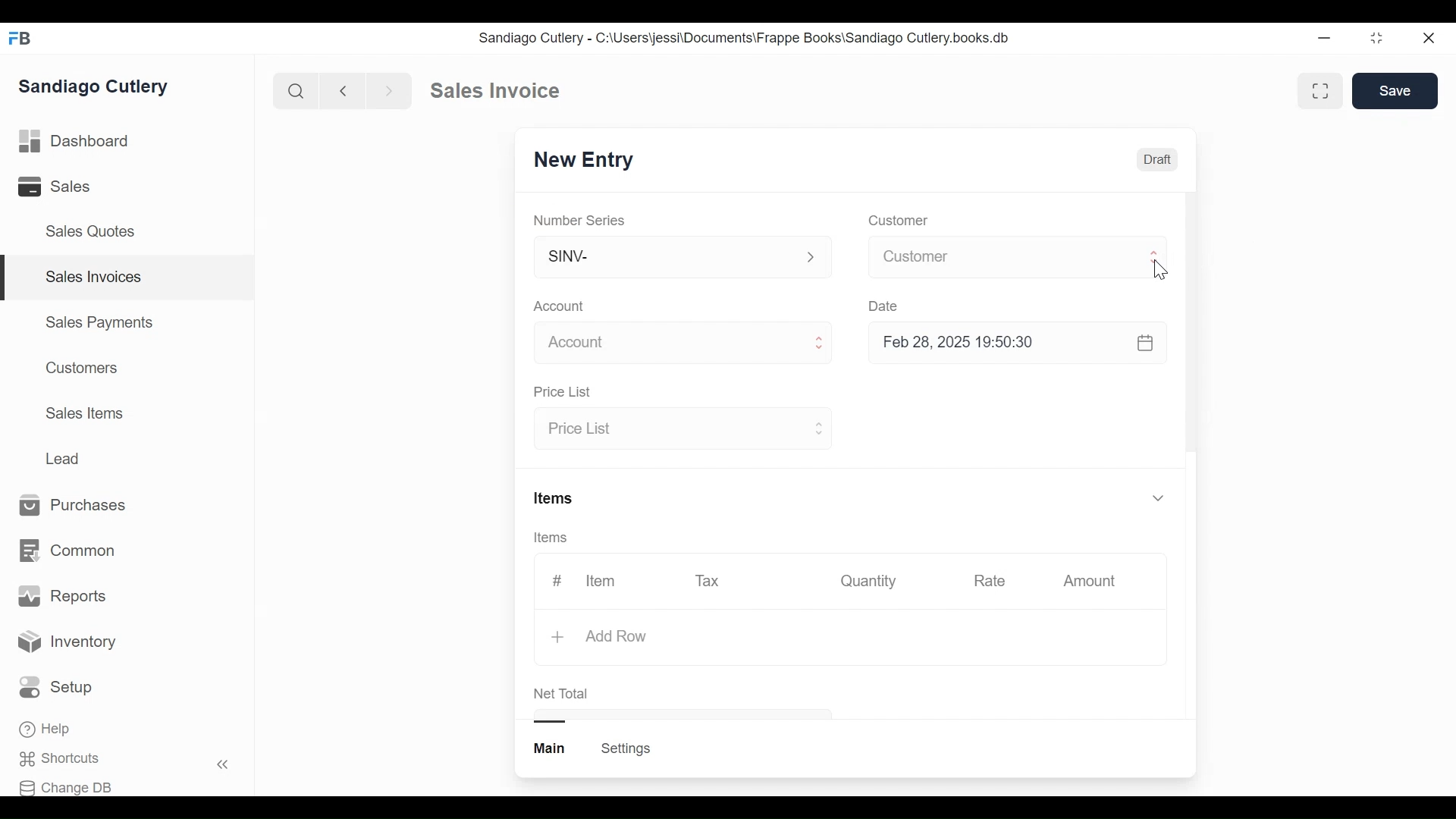 The image size is (1456, 819). What do you see at coordinates (78, 368) in the screenshot?
I see `Customers` at bounding box center [78, 368].